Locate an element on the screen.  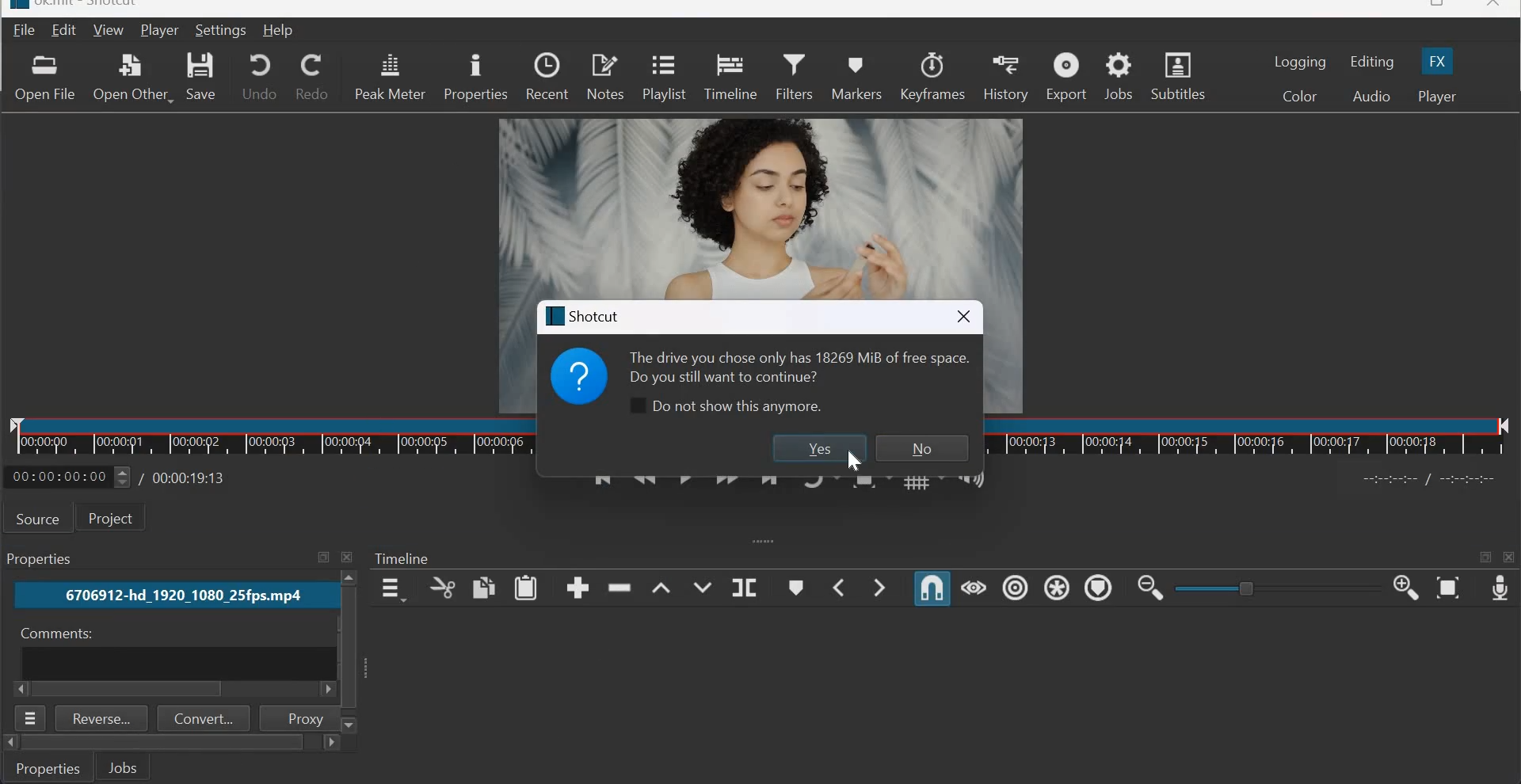
Total duration is located at coordinates (191, 478).